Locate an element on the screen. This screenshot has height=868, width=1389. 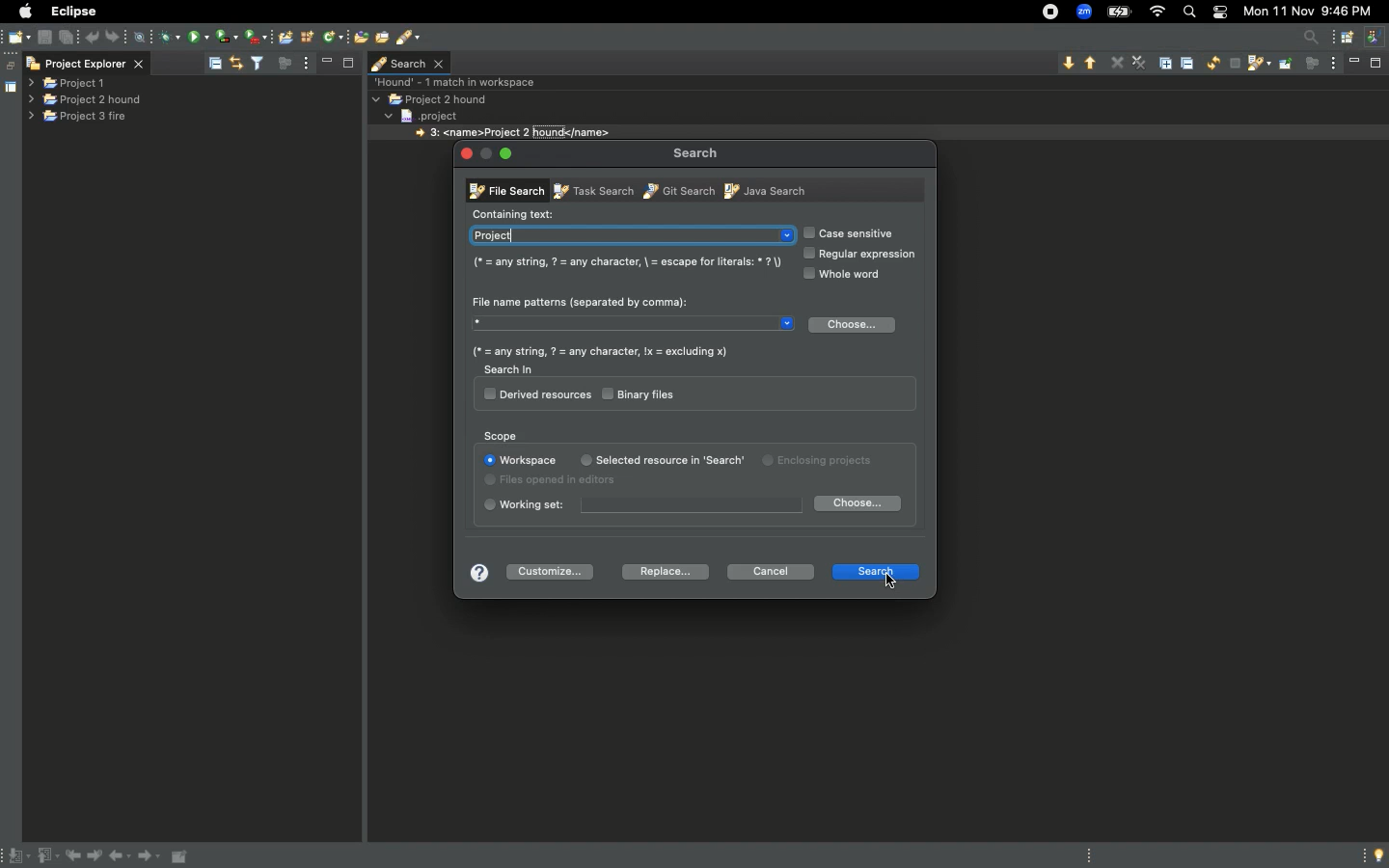
Derived resources is located at coordinates (536, 395).